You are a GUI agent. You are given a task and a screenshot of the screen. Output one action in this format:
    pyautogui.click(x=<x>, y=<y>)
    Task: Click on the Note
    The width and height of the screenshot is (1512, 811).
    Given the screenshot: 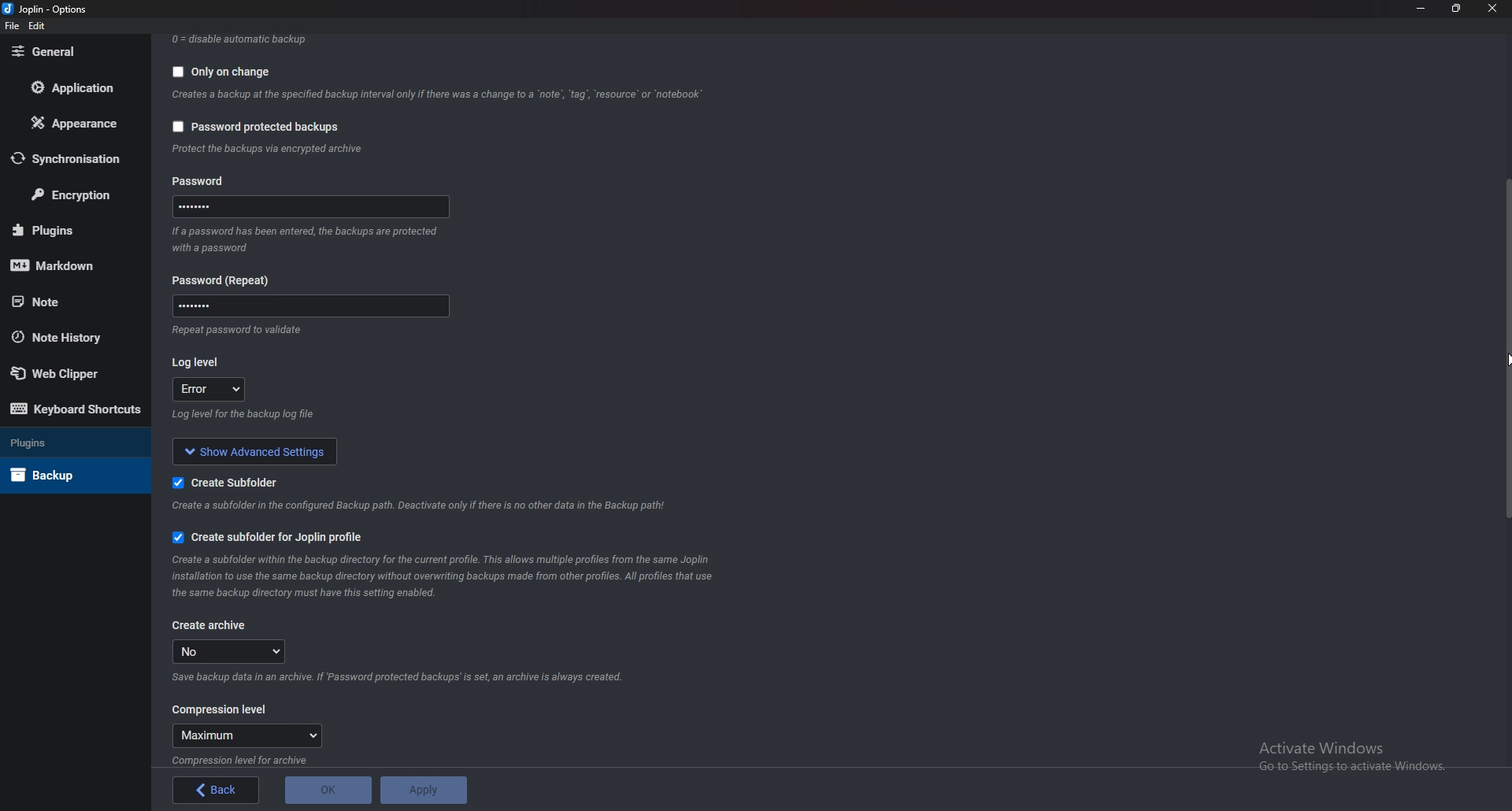 What is the action you would take?
    pyautogui.click(x=70, y=300)
    